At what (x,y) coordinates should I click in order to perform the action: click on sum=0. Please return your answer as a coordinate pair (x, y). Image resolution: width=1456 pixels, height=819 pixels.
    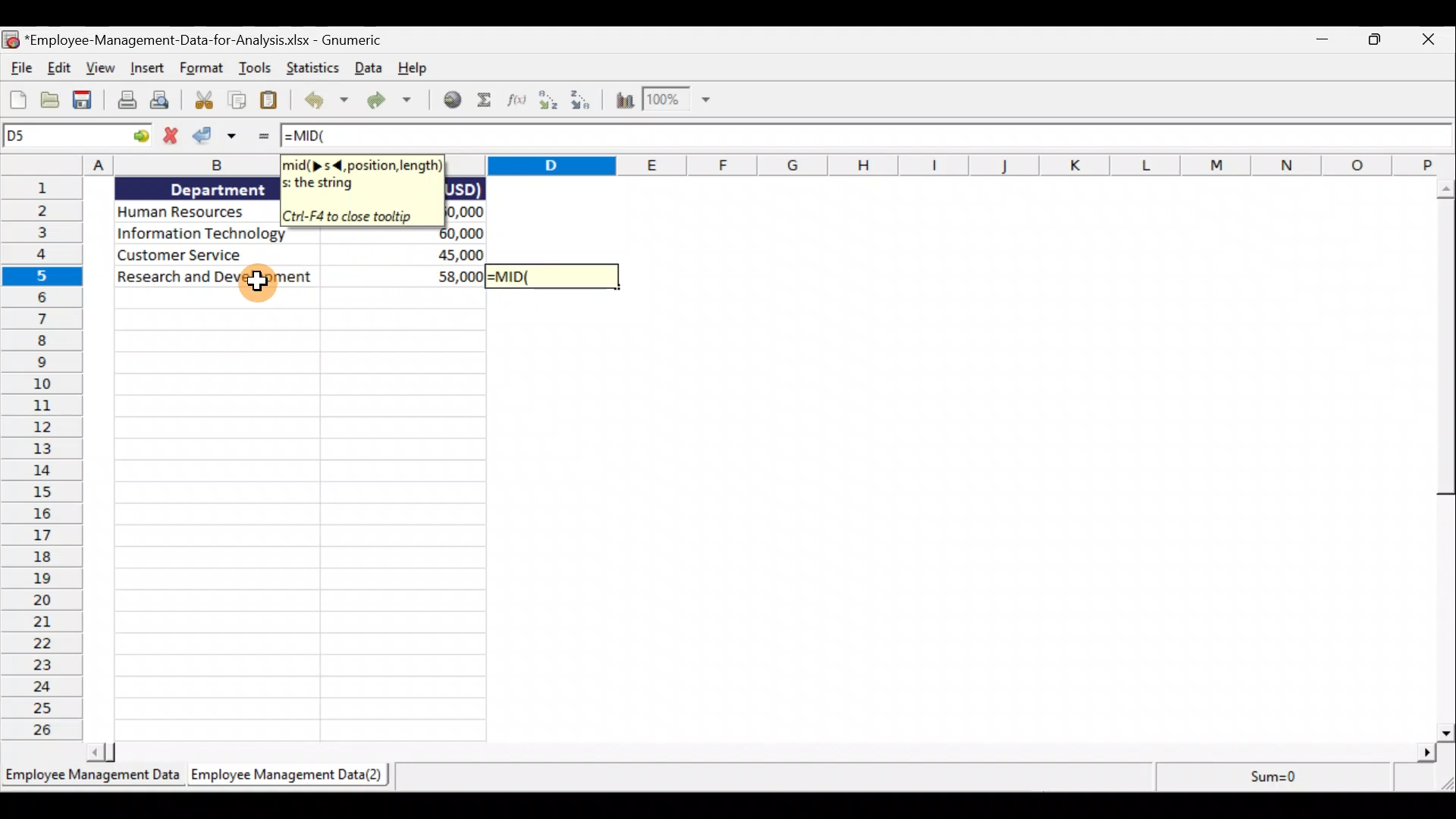
    Looking at the image, I should click on (1267, 777).